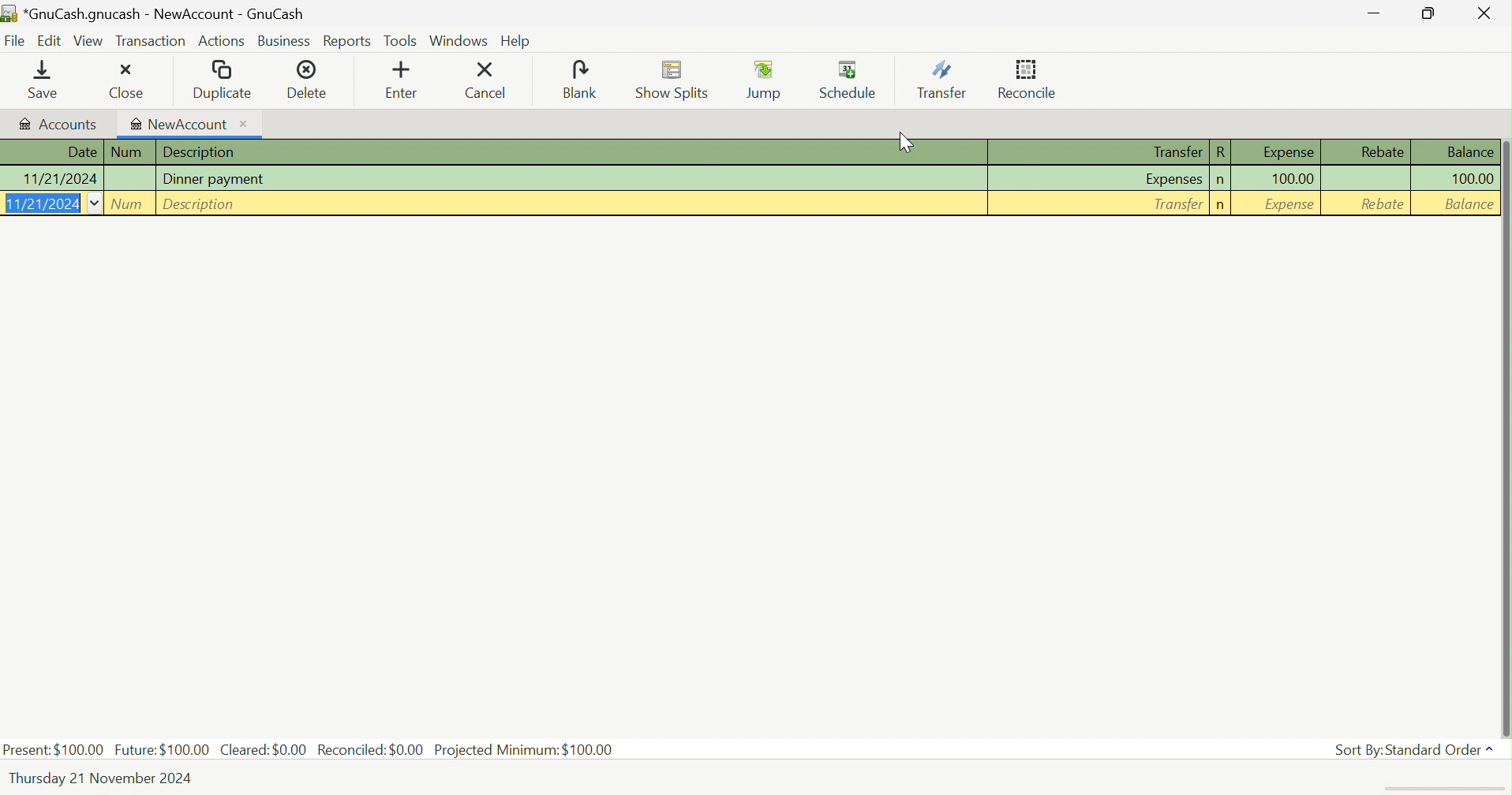 This screenshot has width=1512, height=795. What do you see at coordinates (1381, 208) in the screenshot?
I see `Rebate` at bounding box center [1381, 208].